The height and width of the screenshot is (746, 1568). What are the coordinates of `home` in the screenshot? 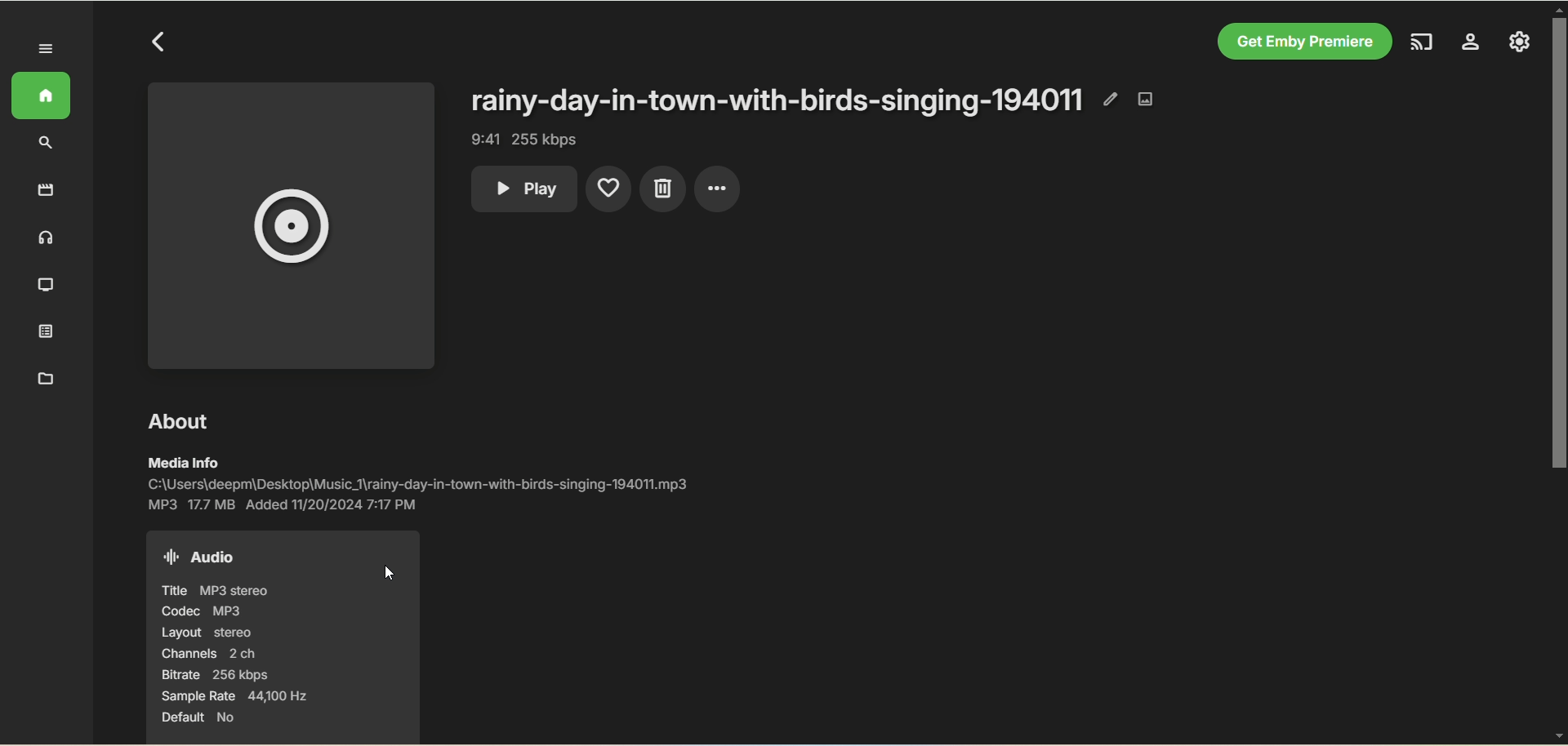 It's located at (45, 96).